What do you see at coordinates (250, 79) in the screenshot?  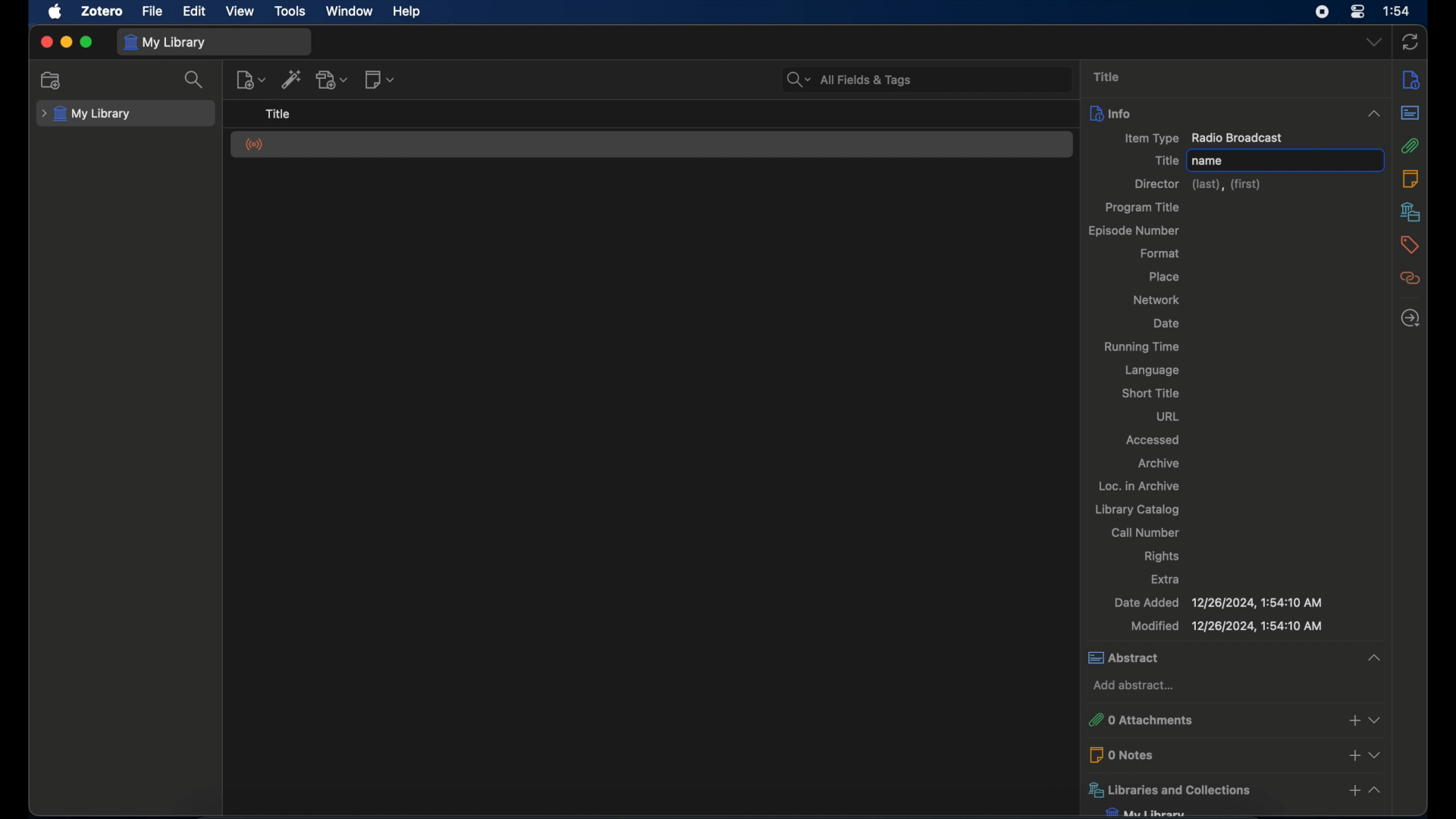 I see `new item` at bounding box center [250, 79].